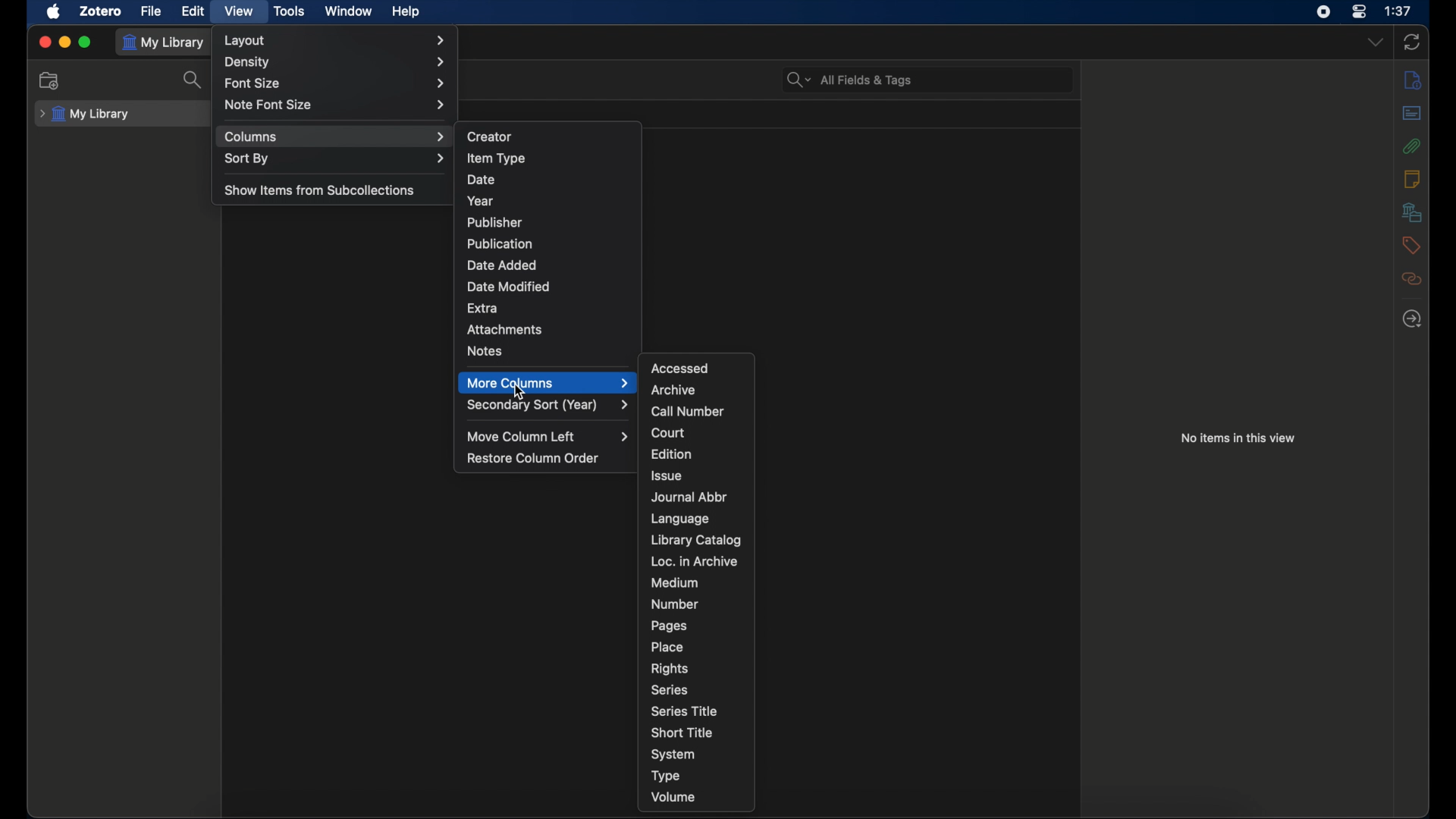 Image resolution: width=1456 pixels, height=819 pixels. I want to click on edition, so click(673, 453).